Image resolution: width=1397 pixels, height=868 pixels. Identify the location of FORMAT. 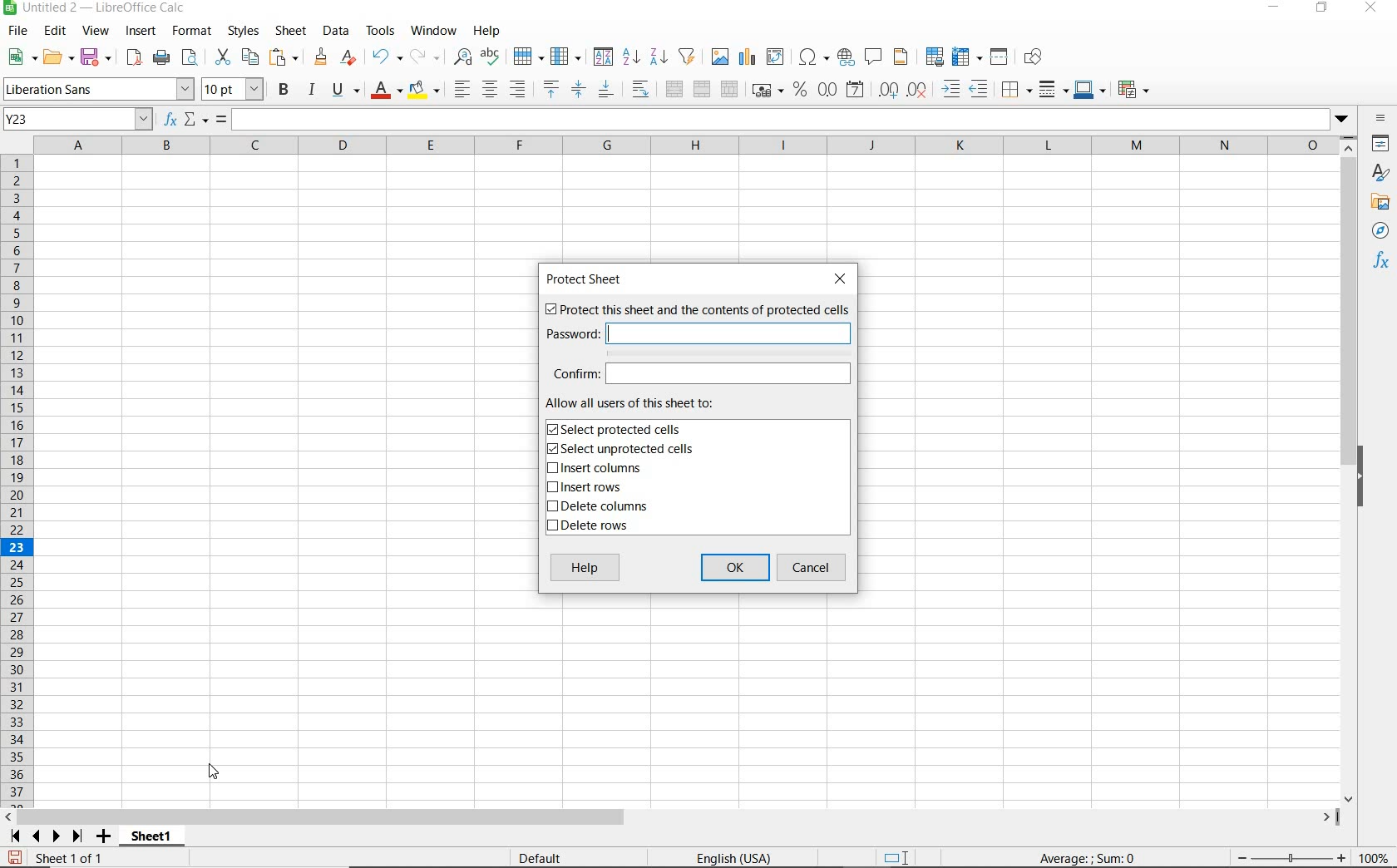
(190, 30).